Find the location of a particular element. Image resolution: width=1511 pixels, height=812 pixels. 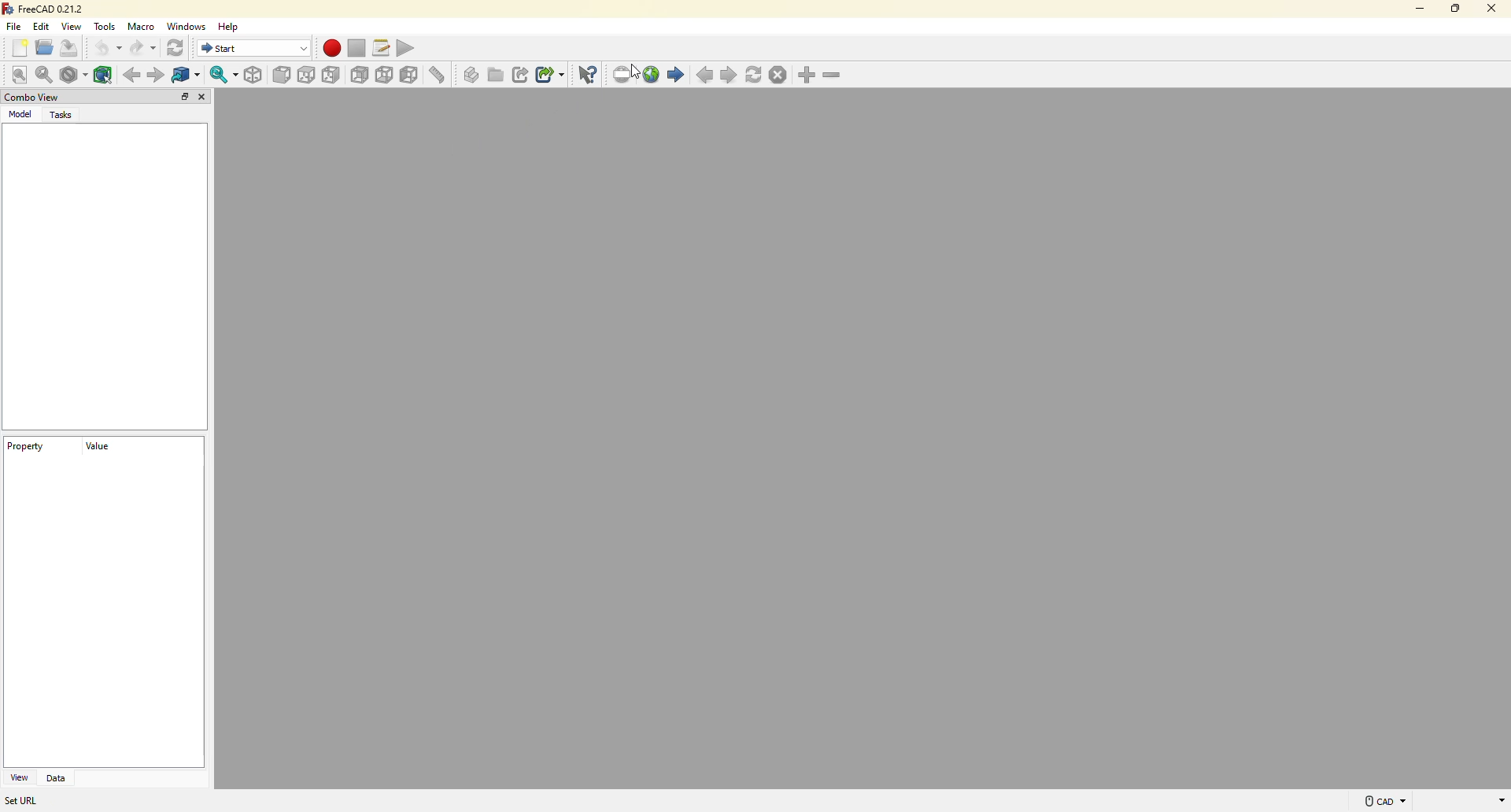

new is located at coordinates (20, 49).